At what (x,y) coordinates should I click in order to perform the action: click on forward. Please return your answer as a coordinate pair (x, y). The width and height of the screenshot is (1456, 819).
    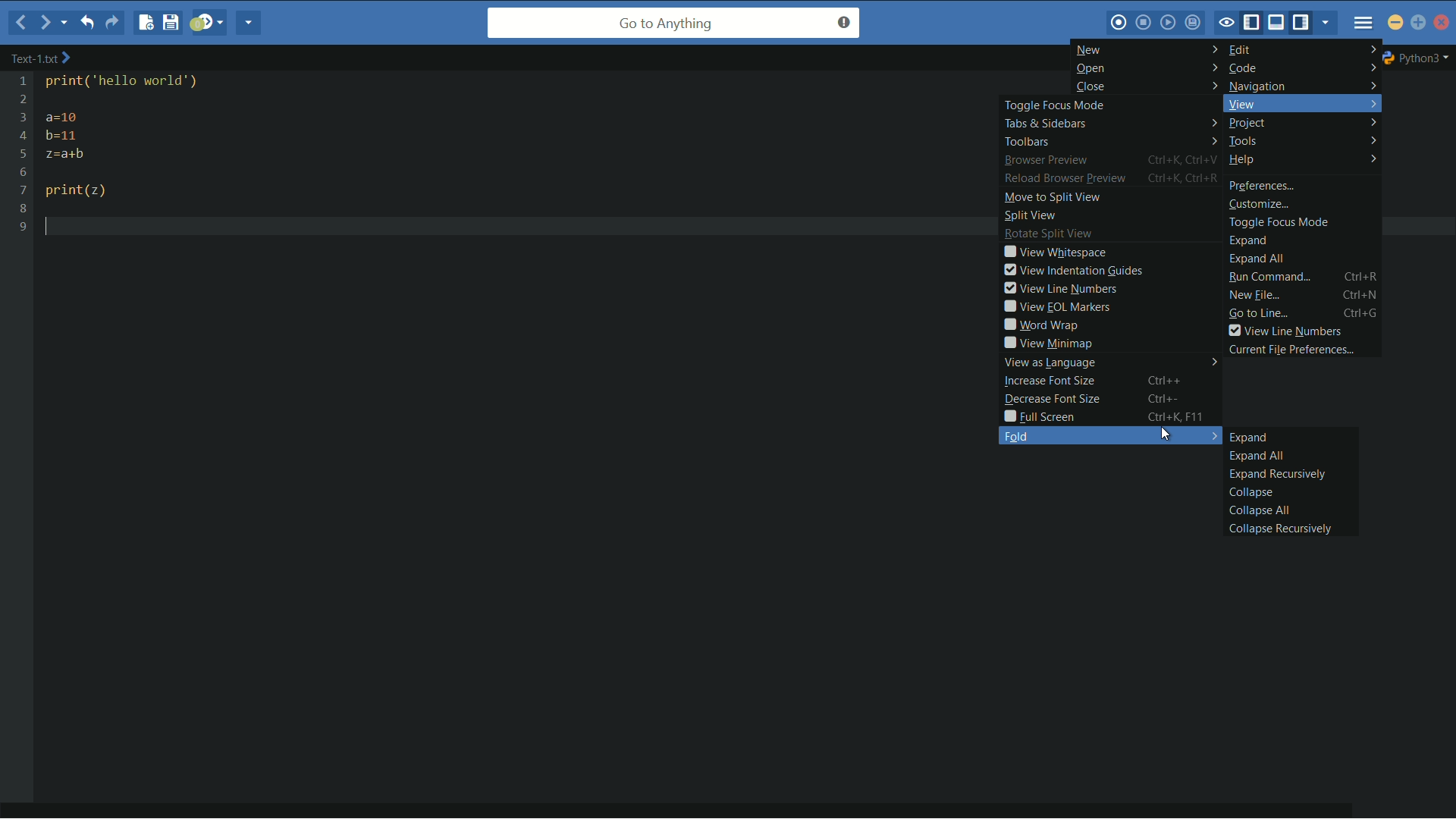
    Looking at the image, I should click on (42, 22).